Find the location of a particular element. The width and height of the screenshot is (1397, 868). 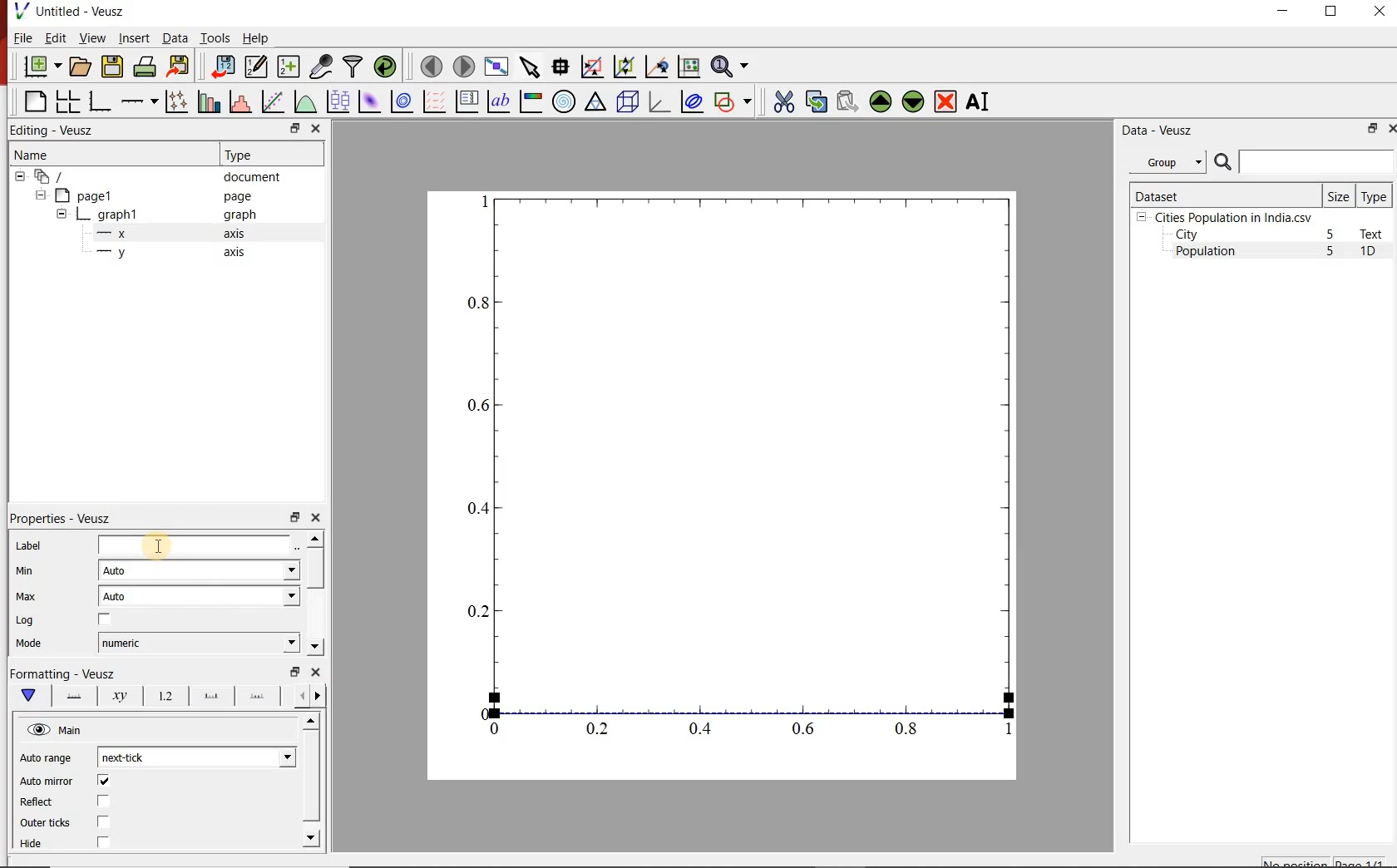

Data is located at coordinates (175, 39).